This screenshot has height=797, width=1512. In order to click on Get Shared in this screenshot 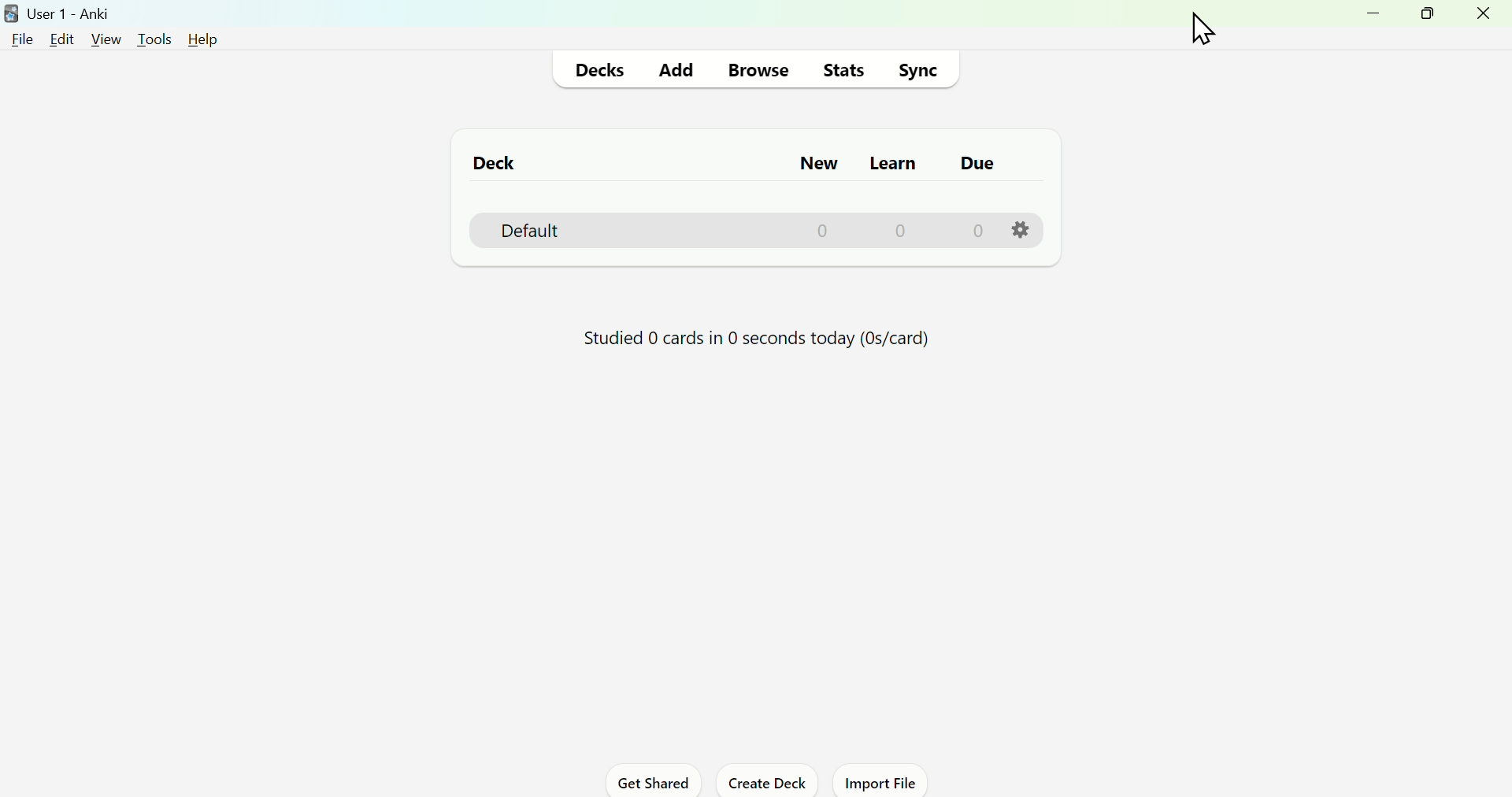, I will do `click(648, 781)`.